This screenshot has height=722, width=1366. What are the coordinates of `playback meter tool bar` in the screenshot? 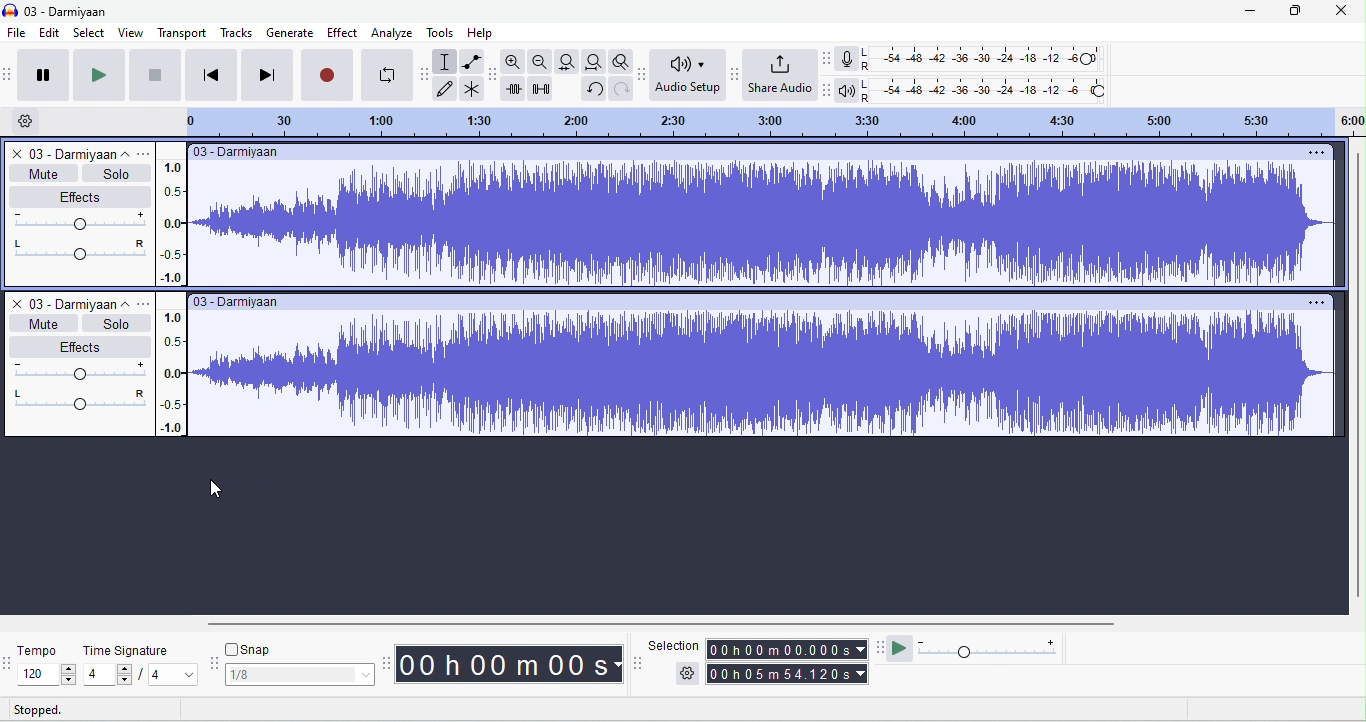 It's located at (826, 90).